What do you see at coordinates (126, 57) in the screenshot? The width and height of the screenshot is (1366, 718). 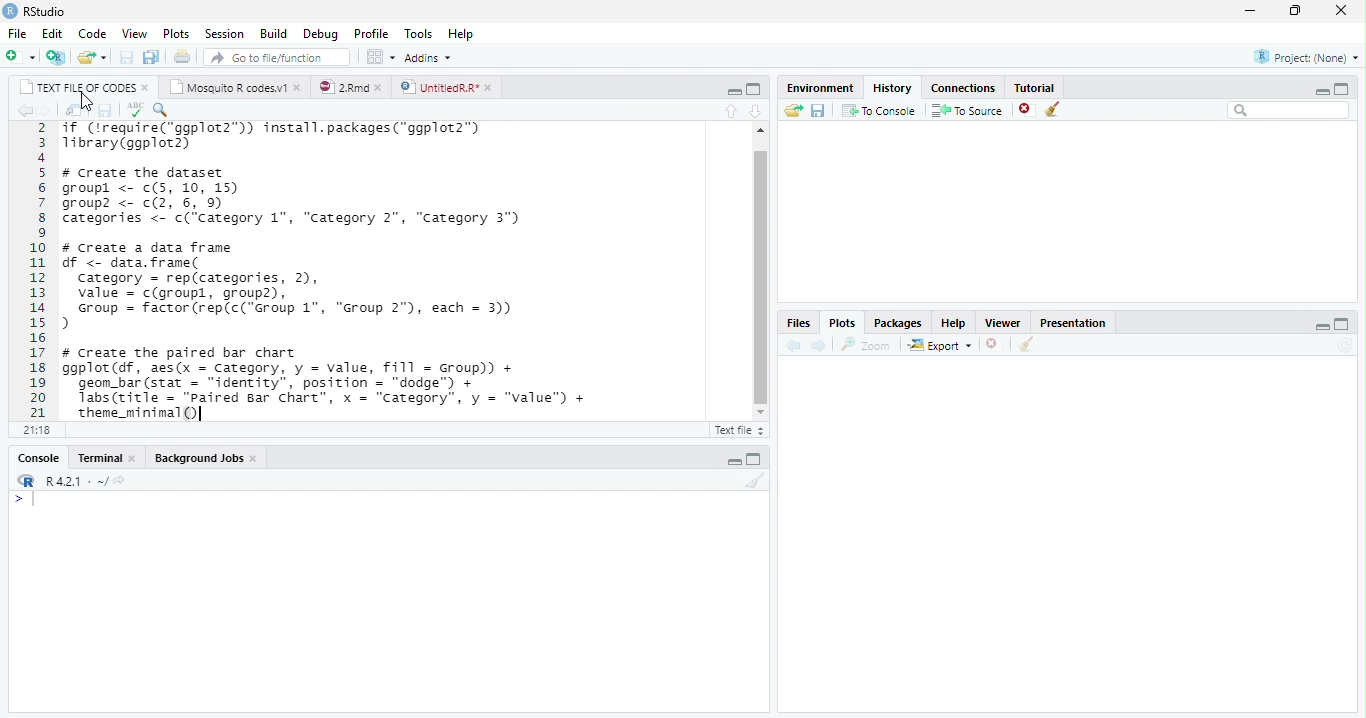 I see `save current document` at bounding box center [126, 57].